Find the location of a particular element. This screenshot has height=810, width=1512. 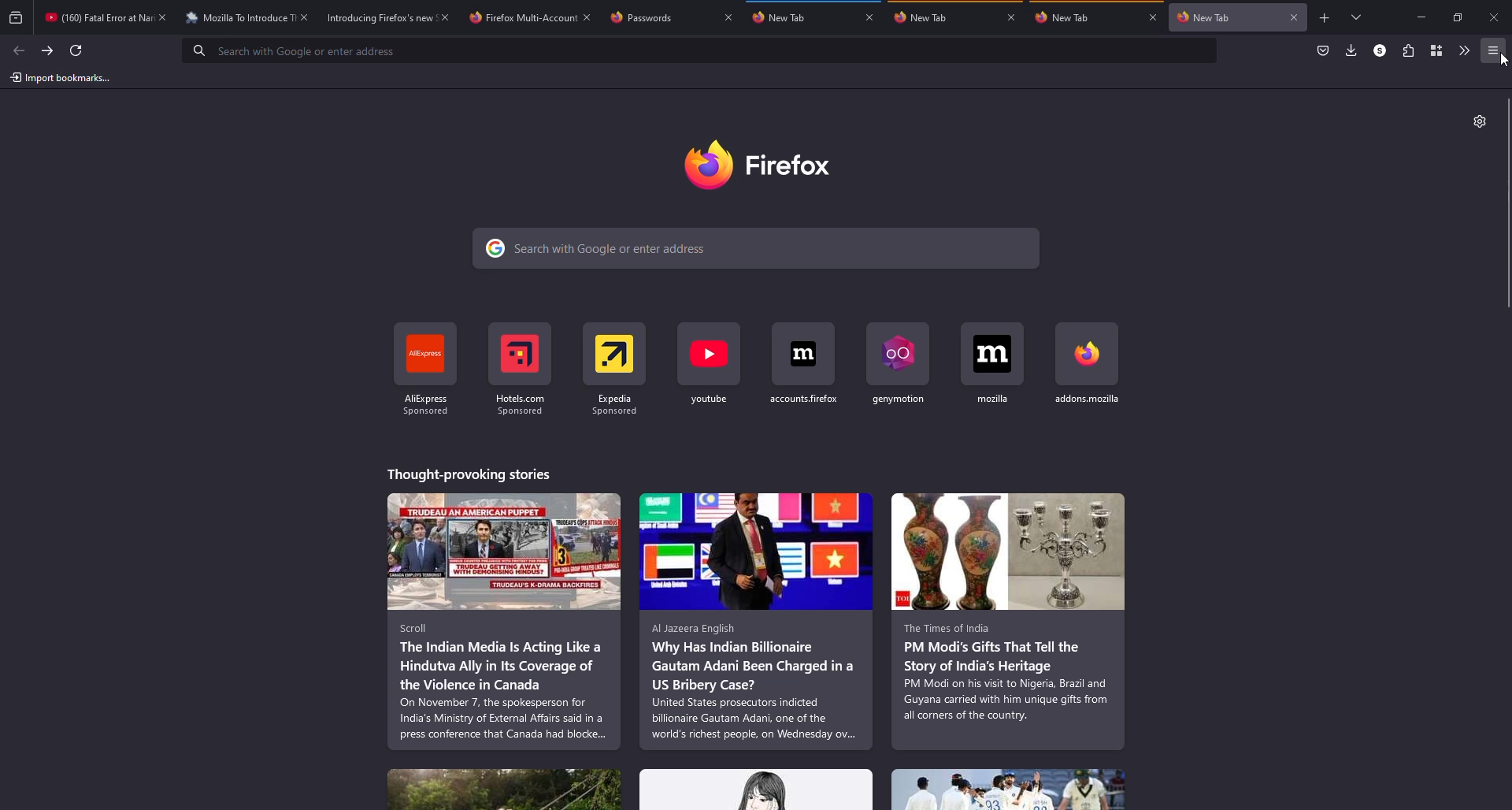

search is located at coordinates (304, 50).